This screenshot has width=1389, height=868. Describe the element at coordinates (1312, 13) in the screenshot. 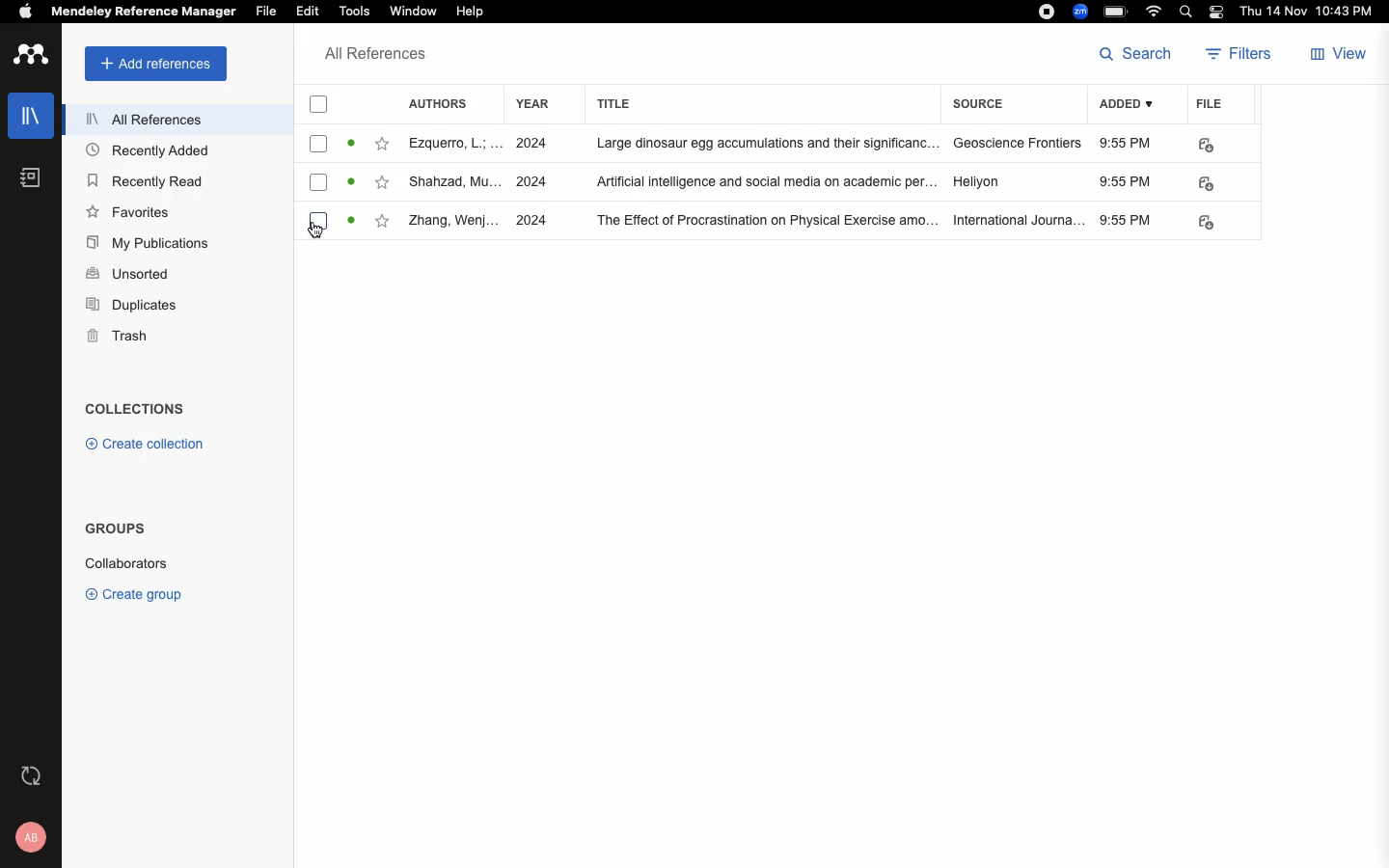

I see `Date/time` at that location.